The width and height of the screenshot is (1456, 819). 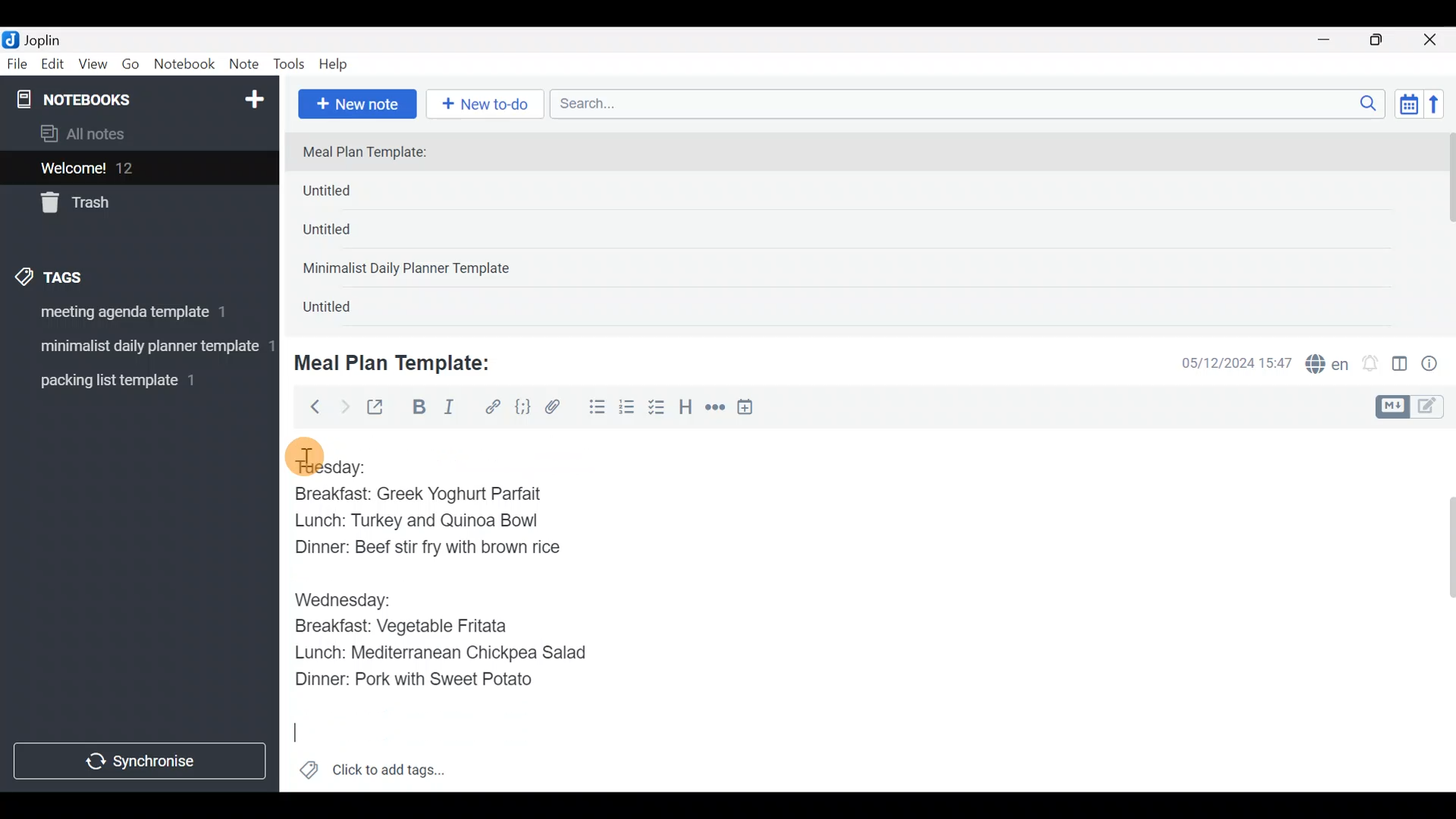 What do you see at coordinates (344, 406) in the screenshot?
I see `Forward` at bounding box center [344, 406].